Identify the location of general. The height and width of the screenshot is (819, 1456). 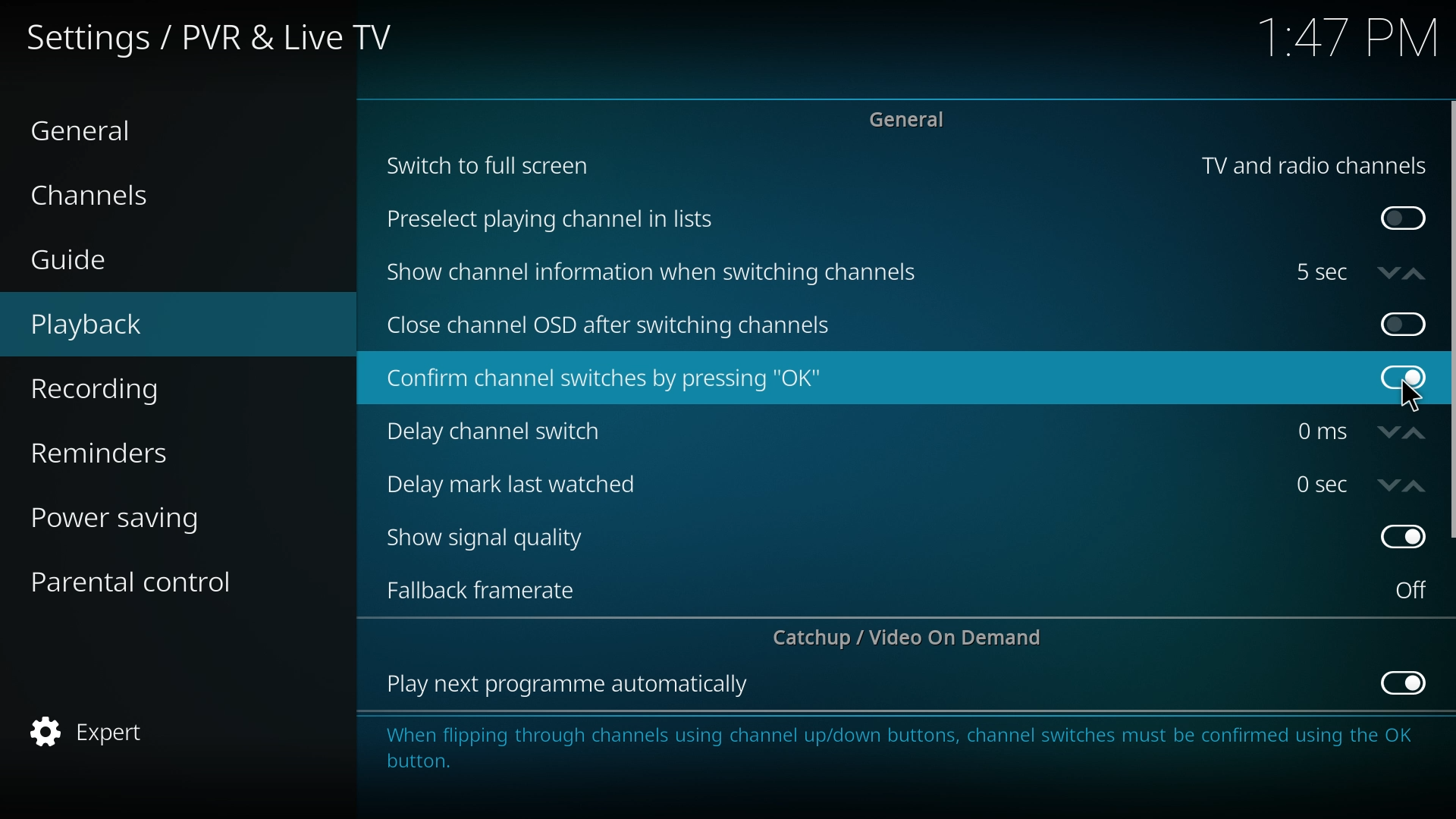
(913, 118).